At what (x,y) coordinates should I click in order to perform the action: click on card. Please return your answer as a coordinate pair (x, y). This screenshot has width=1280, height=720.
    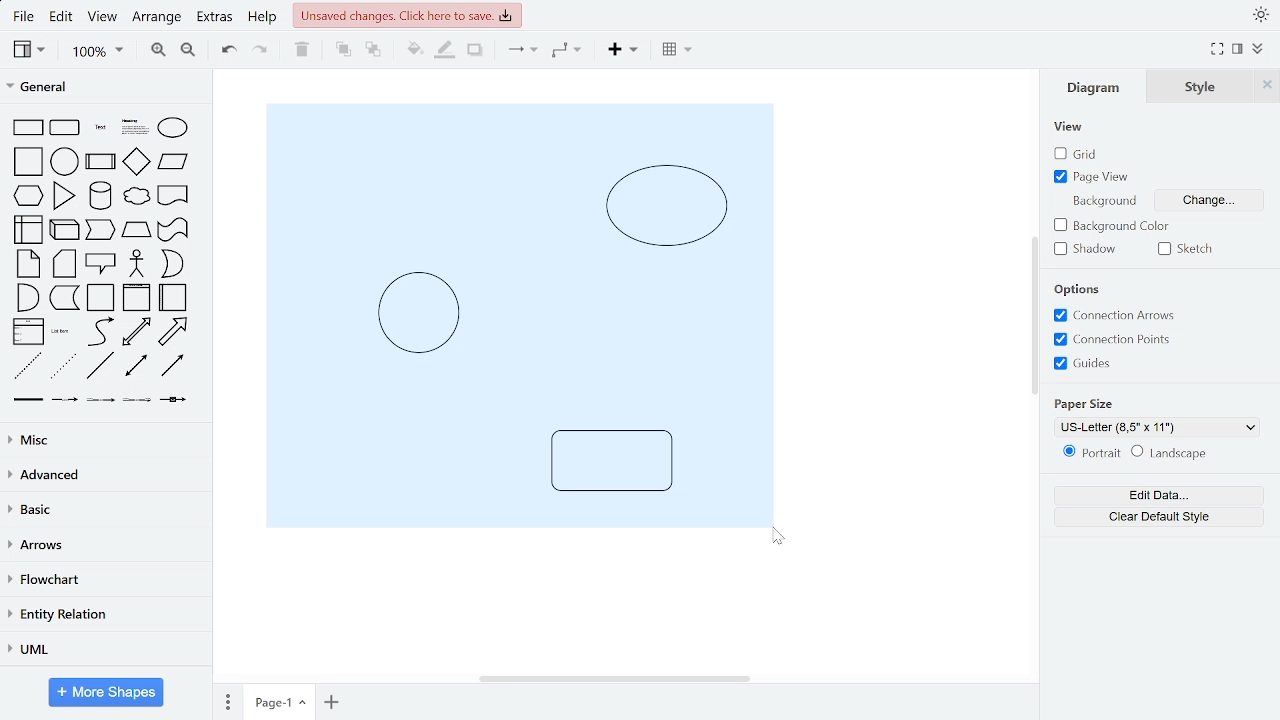
    Looking at the image, I should click on (65, 264).